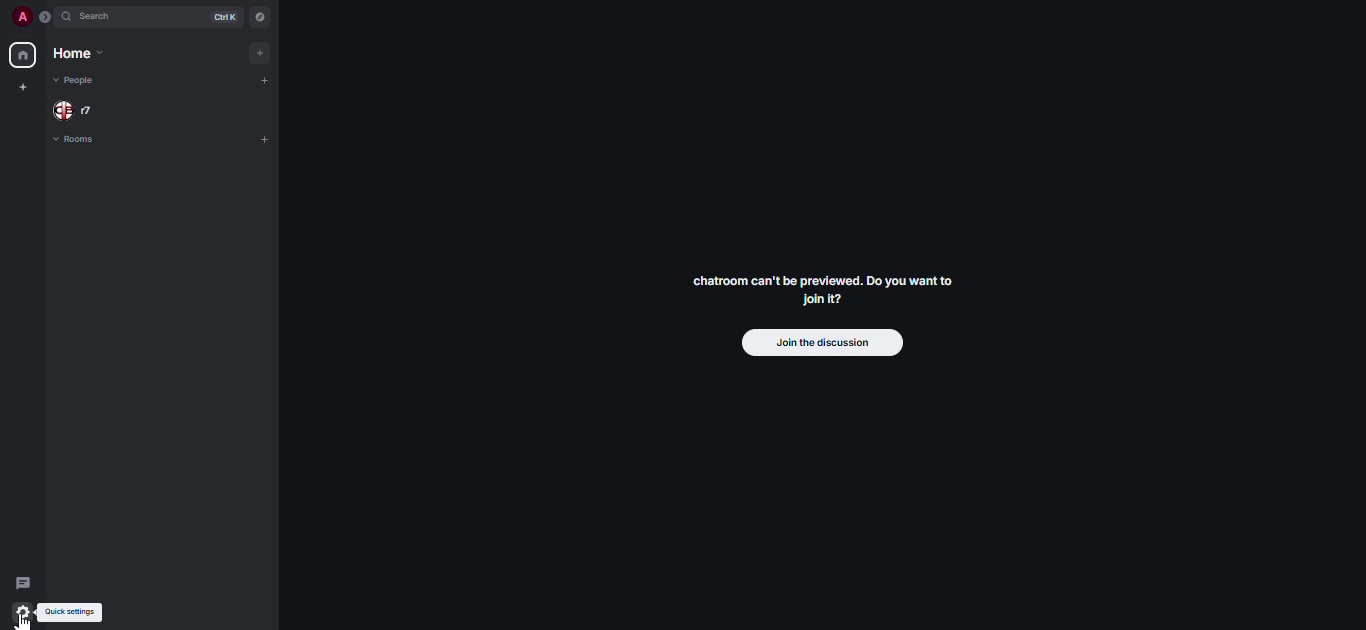 The width and height of the screenshot is (1366, 630). What do you see at coordinates (17, 17) in the screenshot?
I see `profile` at bounding box center [17, 17].